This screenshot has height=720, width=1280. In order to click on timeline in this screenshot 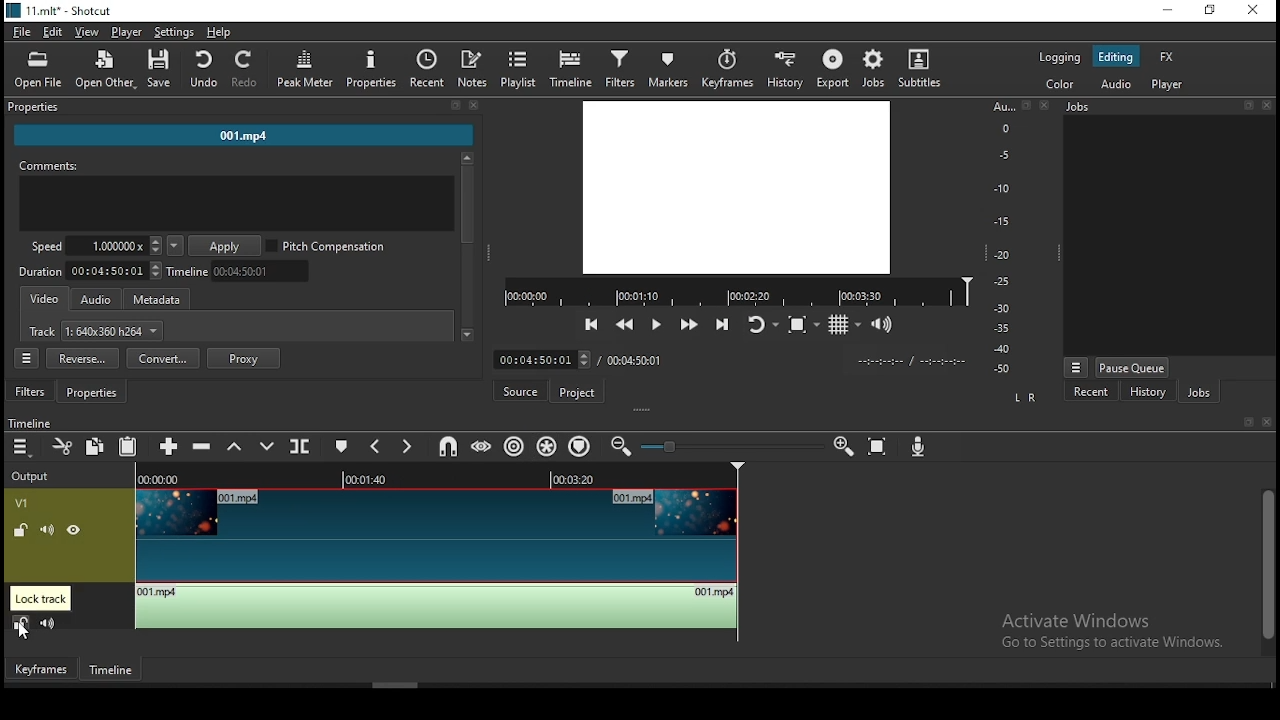, I will do `click(28, 423)`.